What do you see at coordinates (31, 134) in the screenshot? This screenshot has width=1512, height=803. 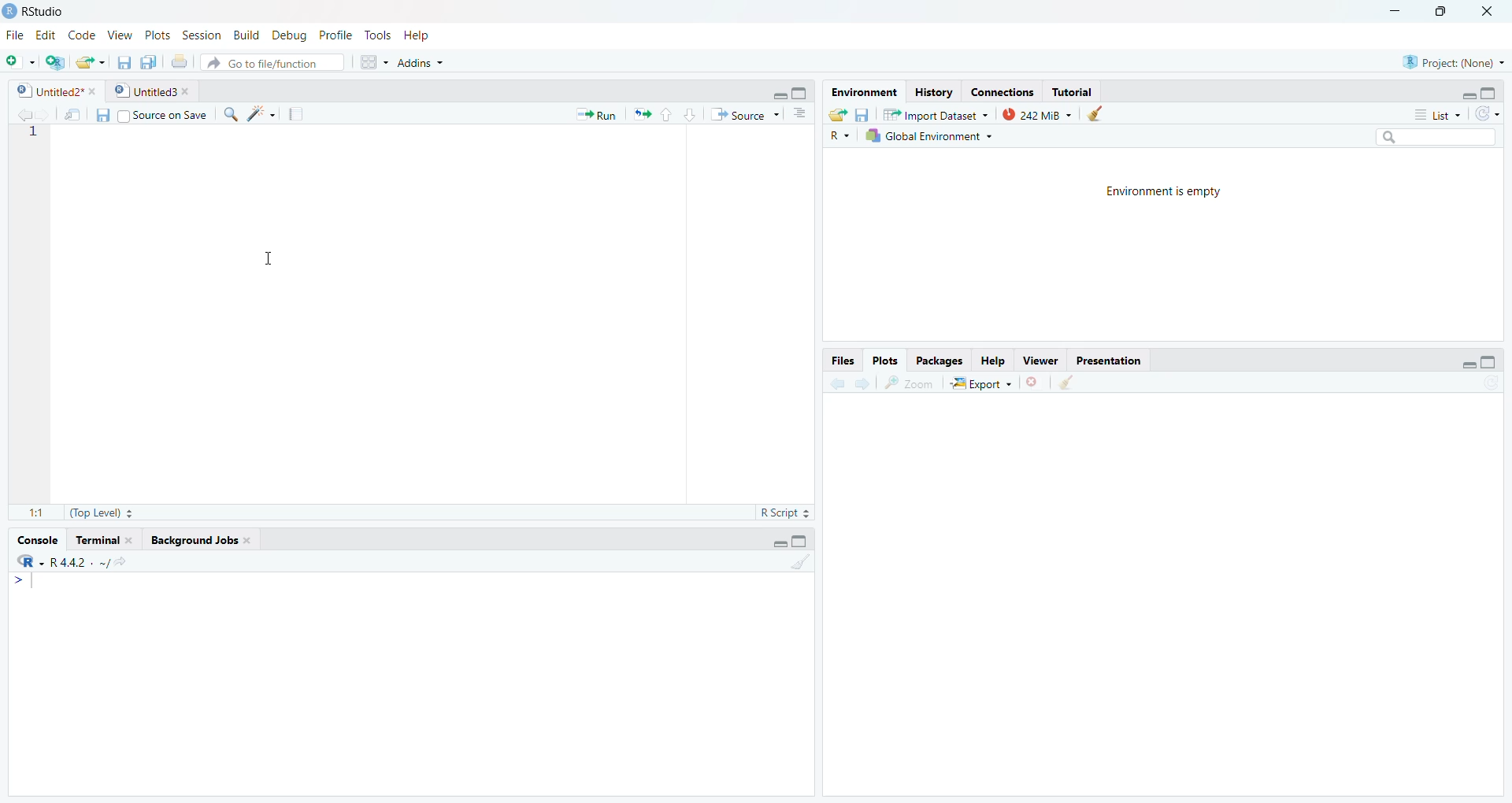 I see `1` at bounding box center [31, 134].